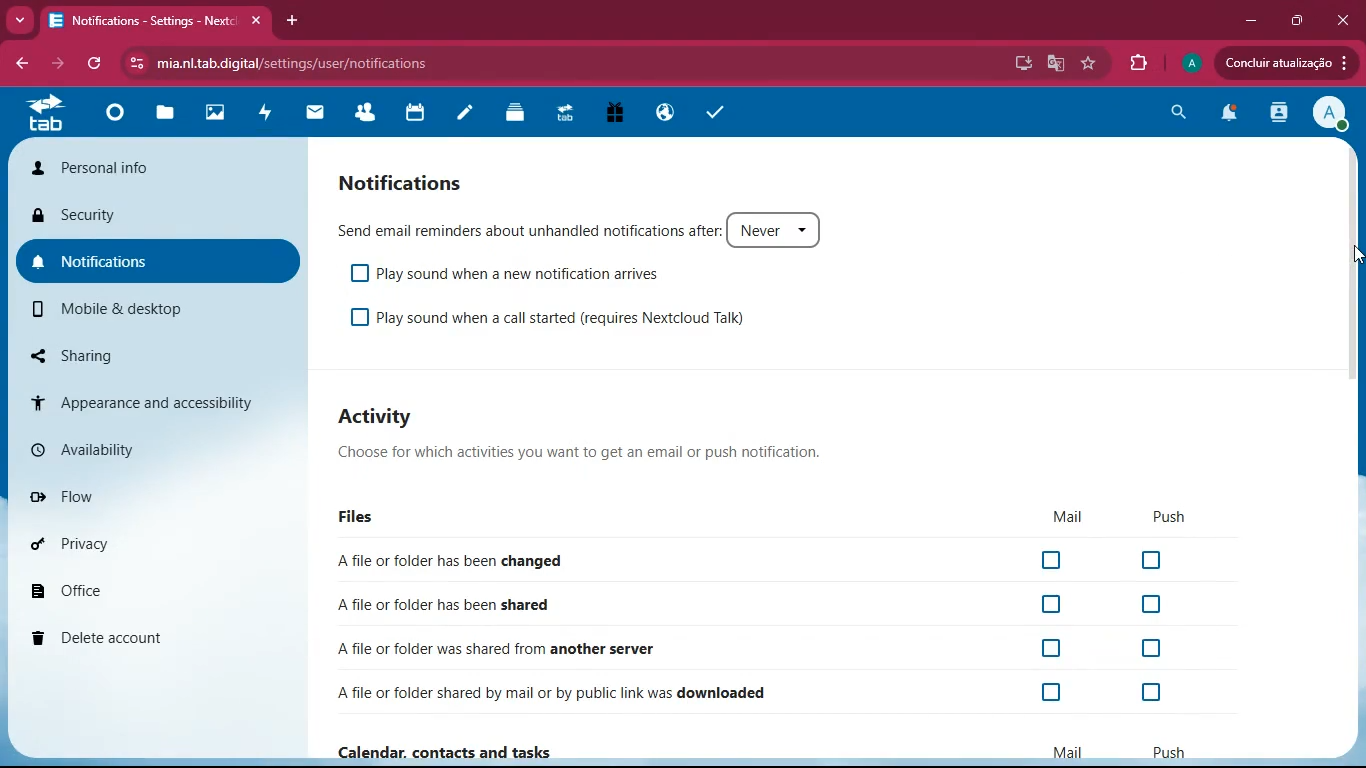 This screenshot has height=768, width=1366. I want to click on tab, so click(46, 111).